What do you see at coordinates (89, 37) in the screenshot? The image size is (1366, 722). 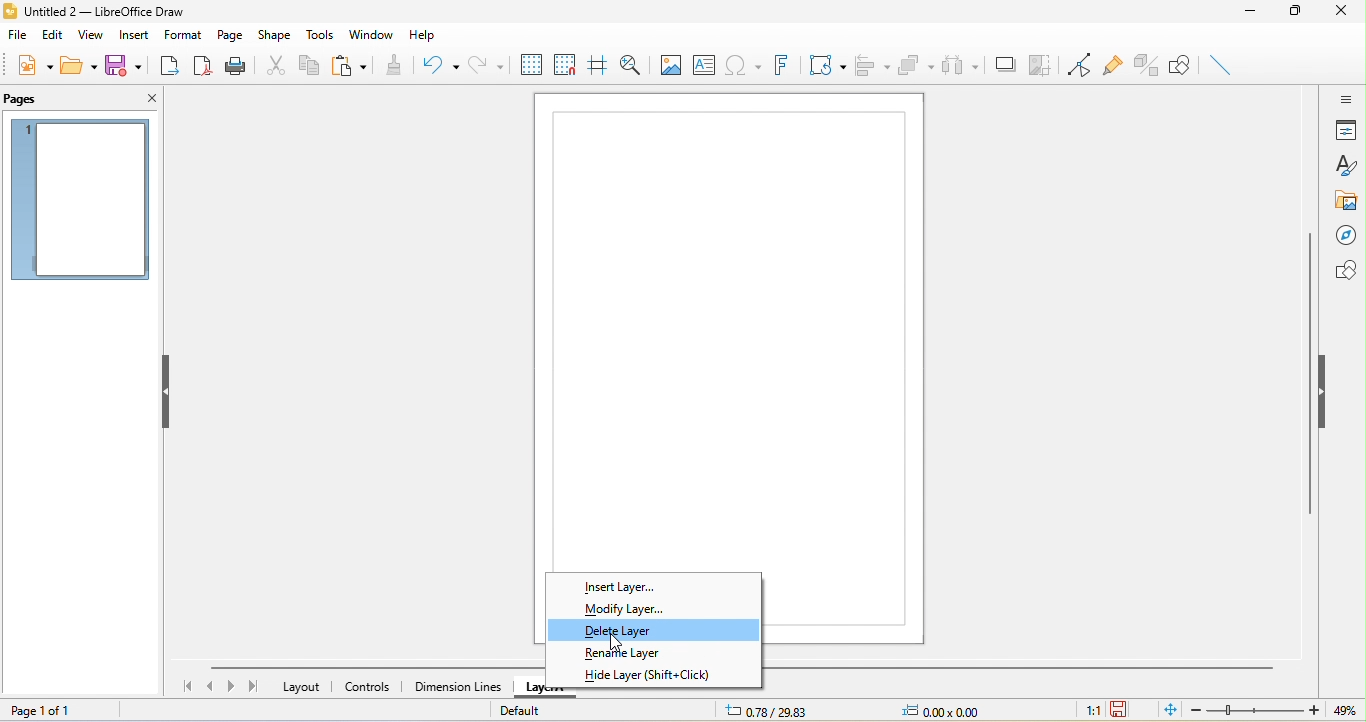 I see `view` at bounding box center [89, 37].